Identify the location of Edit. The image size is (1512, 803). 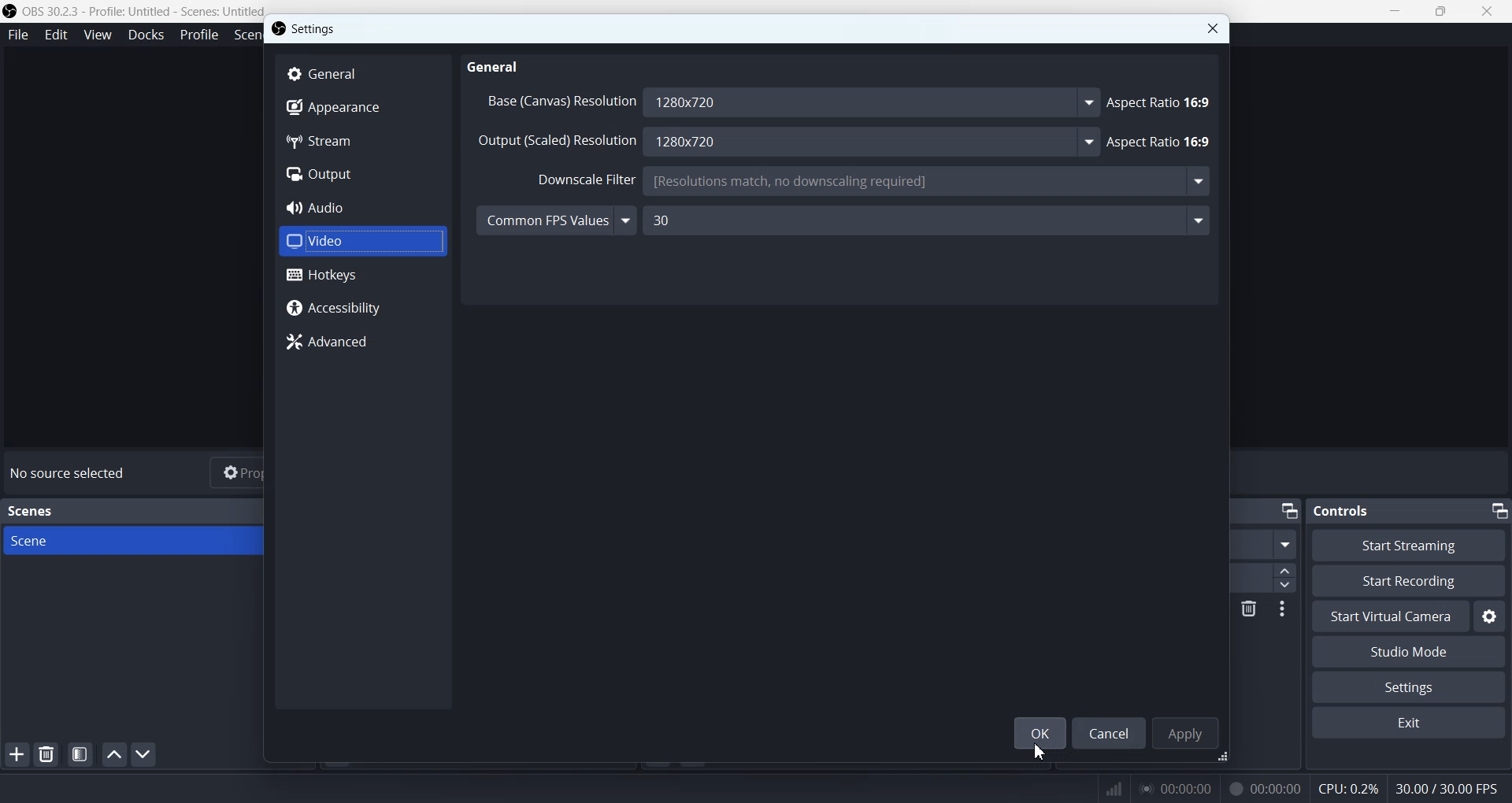
(57, 36).